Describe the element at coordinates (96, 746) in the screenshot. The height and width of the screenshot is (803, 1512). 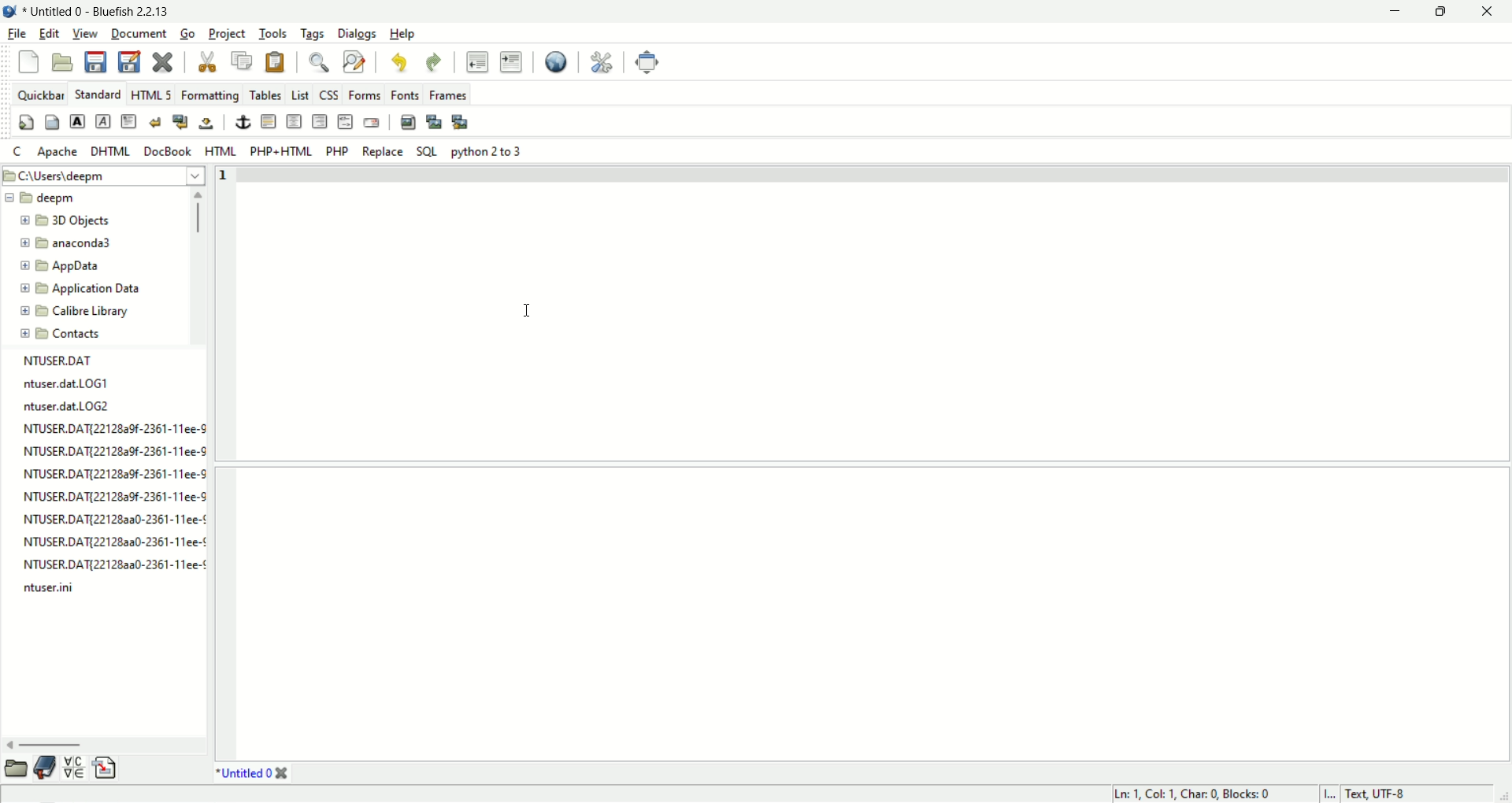
I see `scroll bar` at that location.